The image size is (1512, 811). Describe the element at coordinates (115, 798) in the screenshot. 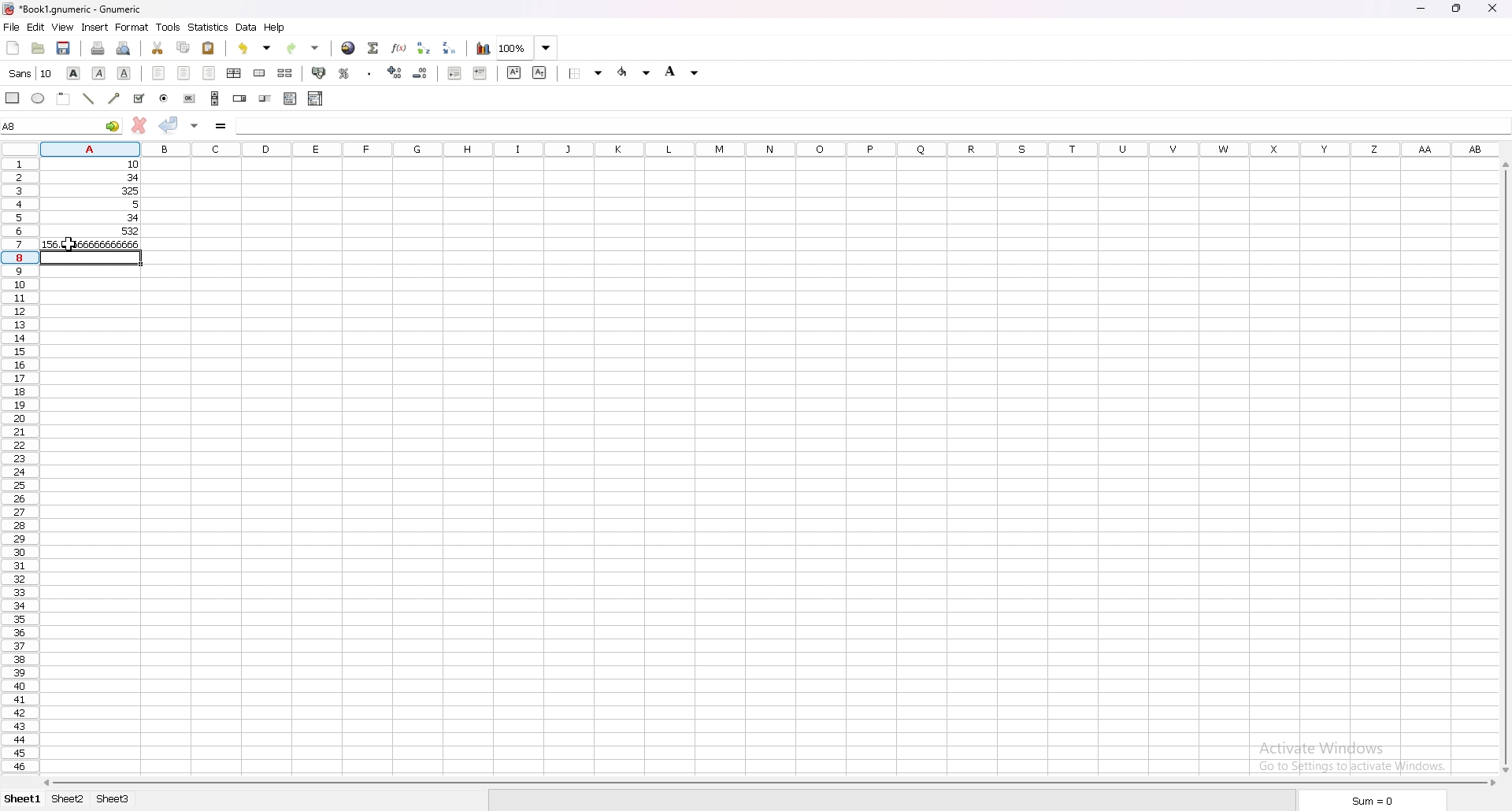

I see `sheet 3` at that location.